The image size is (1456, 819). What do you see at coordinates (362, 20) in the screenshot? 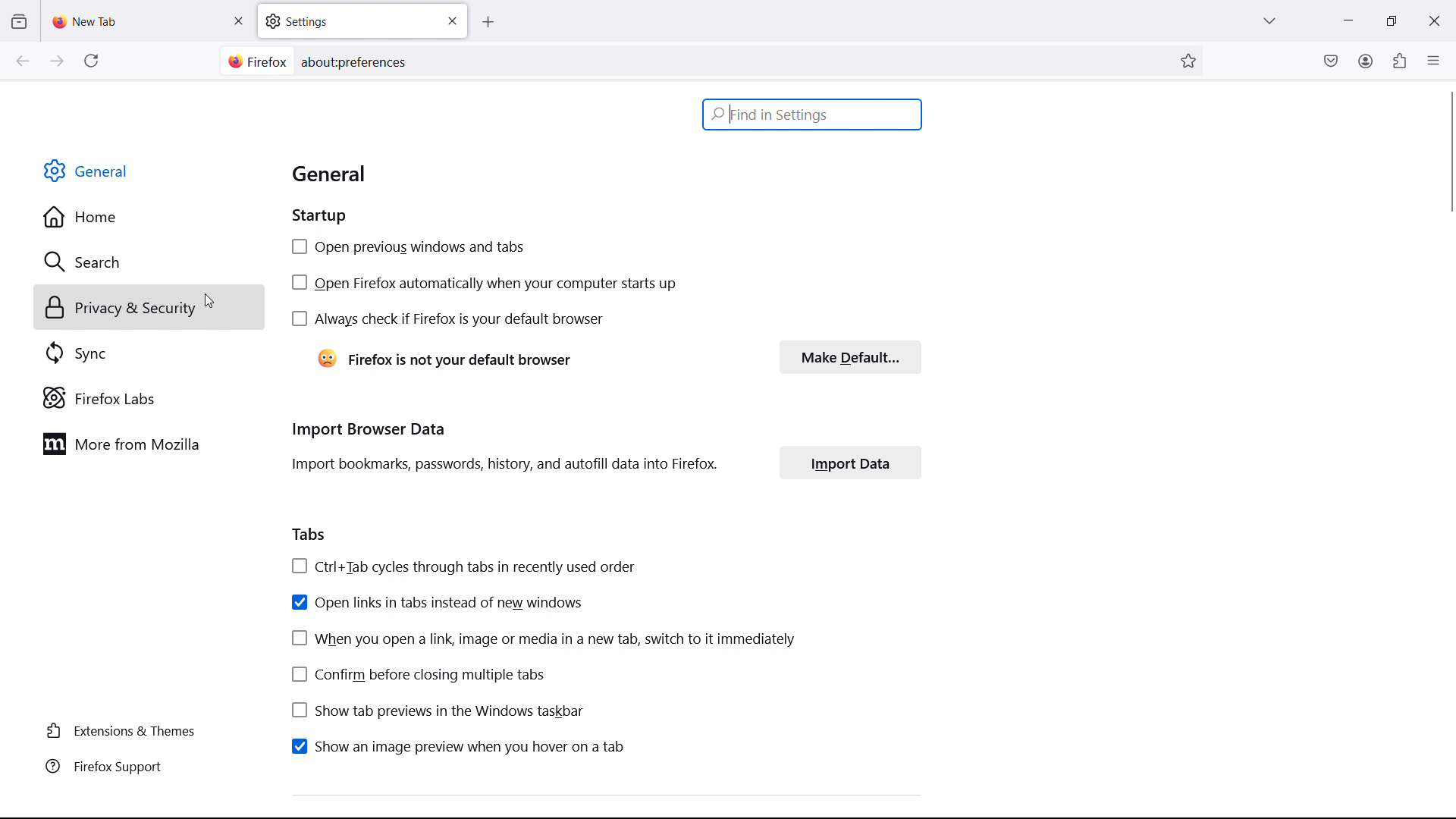
I see `settings tab` at bounding box center [362, 20].